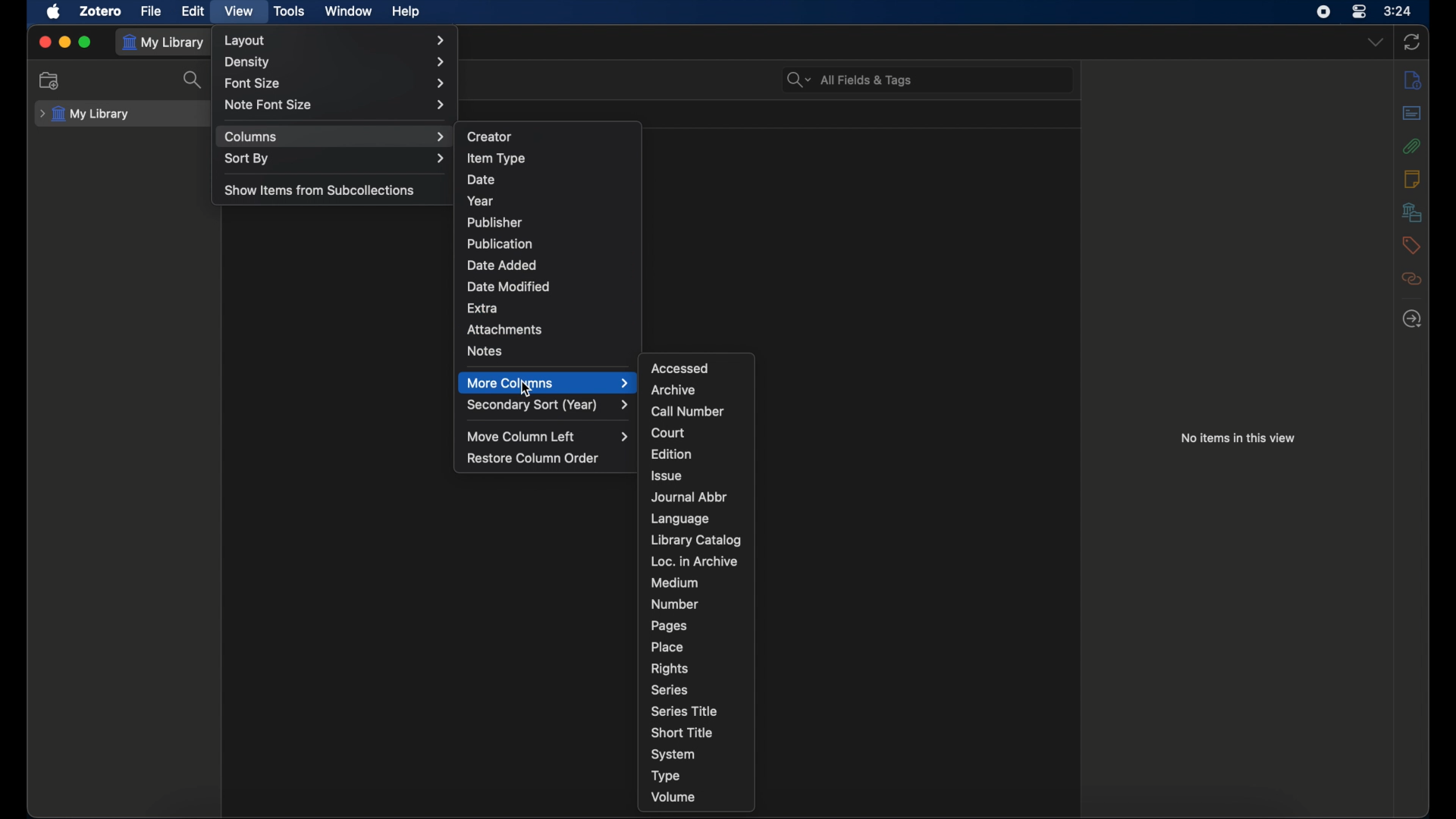 Image resolution: width=1456 pixels, height=819 pixels. Describe the element at coordinates (337, 159) in the screenshot. I see `sort by` at that location.